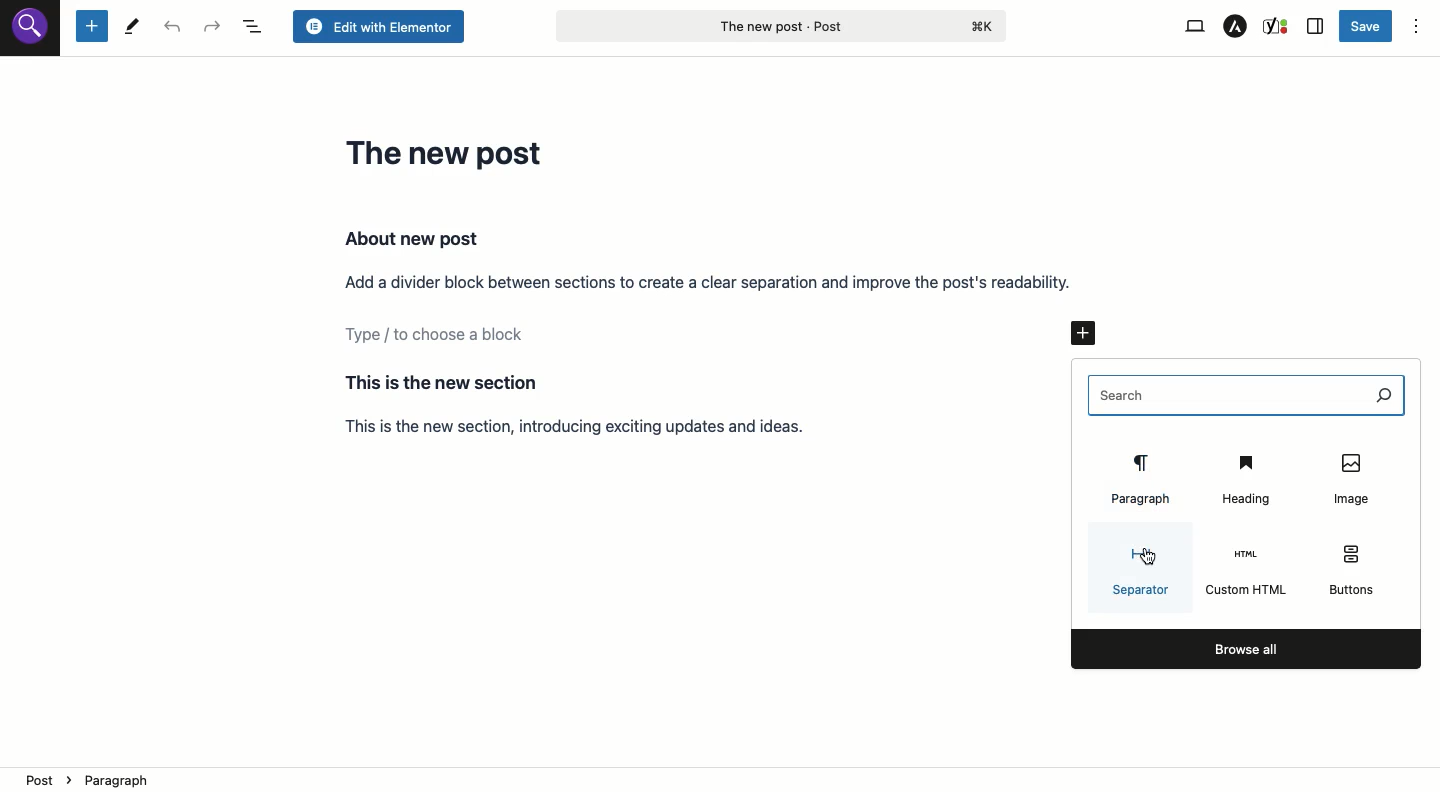 This screenshot has width=1440, height=792. What do you see at coordinates (1349, 567) in the screenshot?
I see `Buttons` at bounding box center [1349, 567].